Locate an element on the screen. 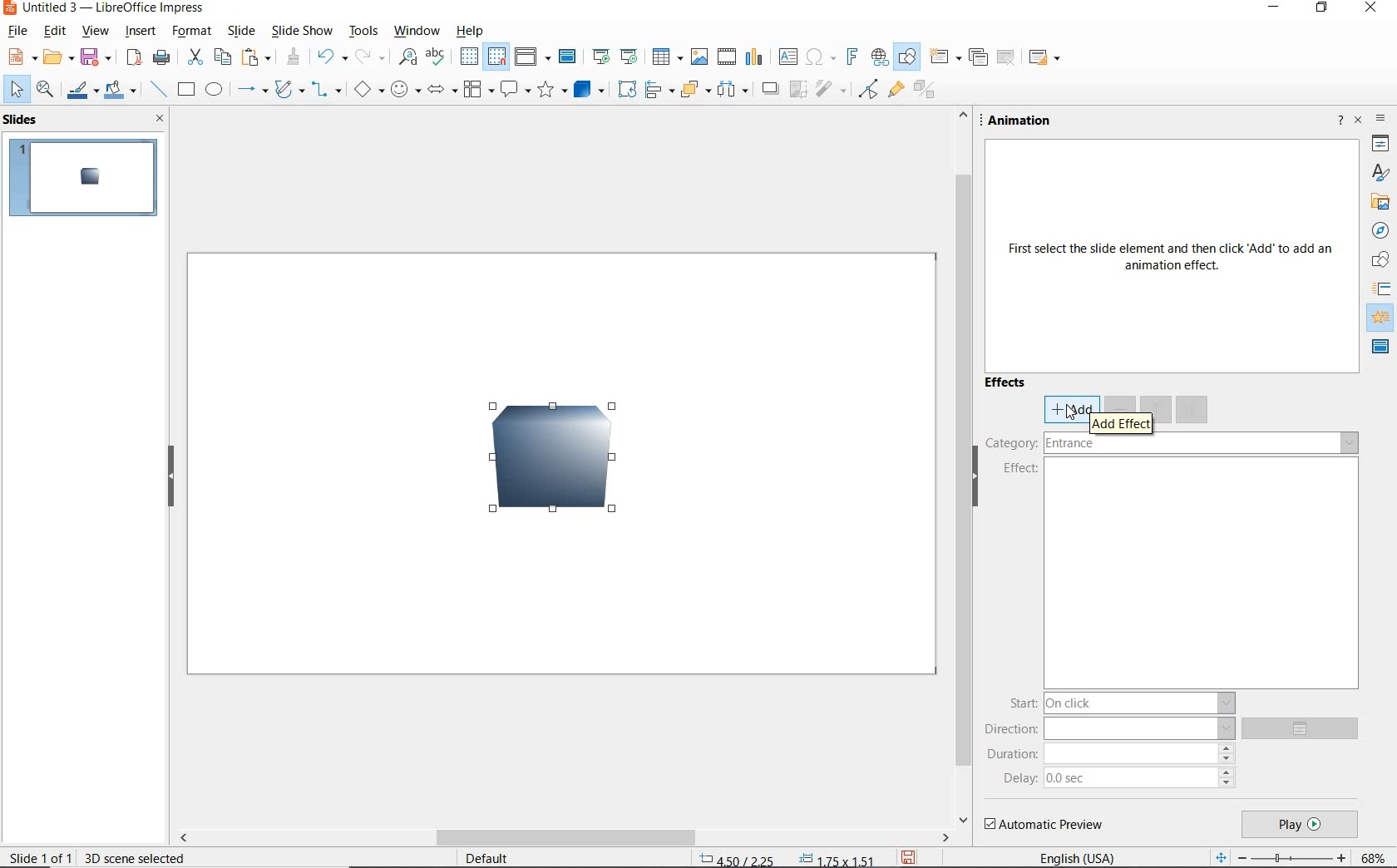 The image size is (1397, 868). slide1 is located at coordinates (87, 179).